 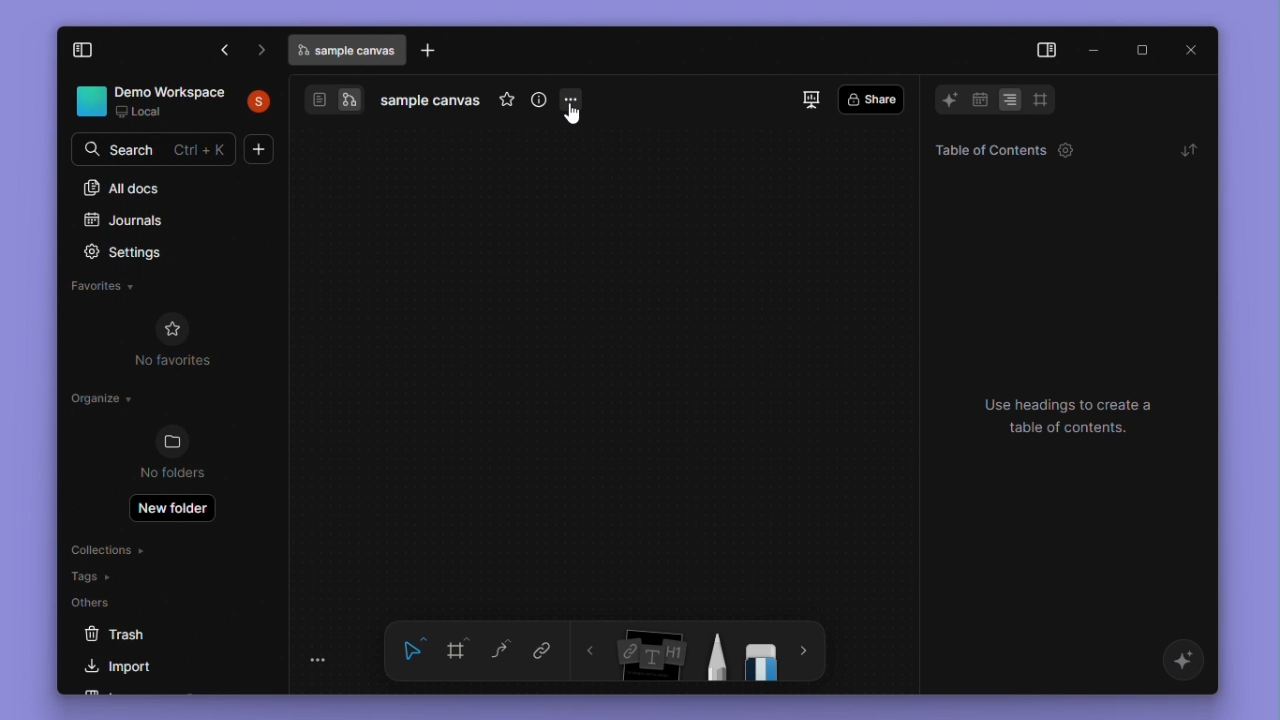 What do you see at coordinates (573, 107) in the screenshot?
I see `more options` at bounding box center [573, 107].